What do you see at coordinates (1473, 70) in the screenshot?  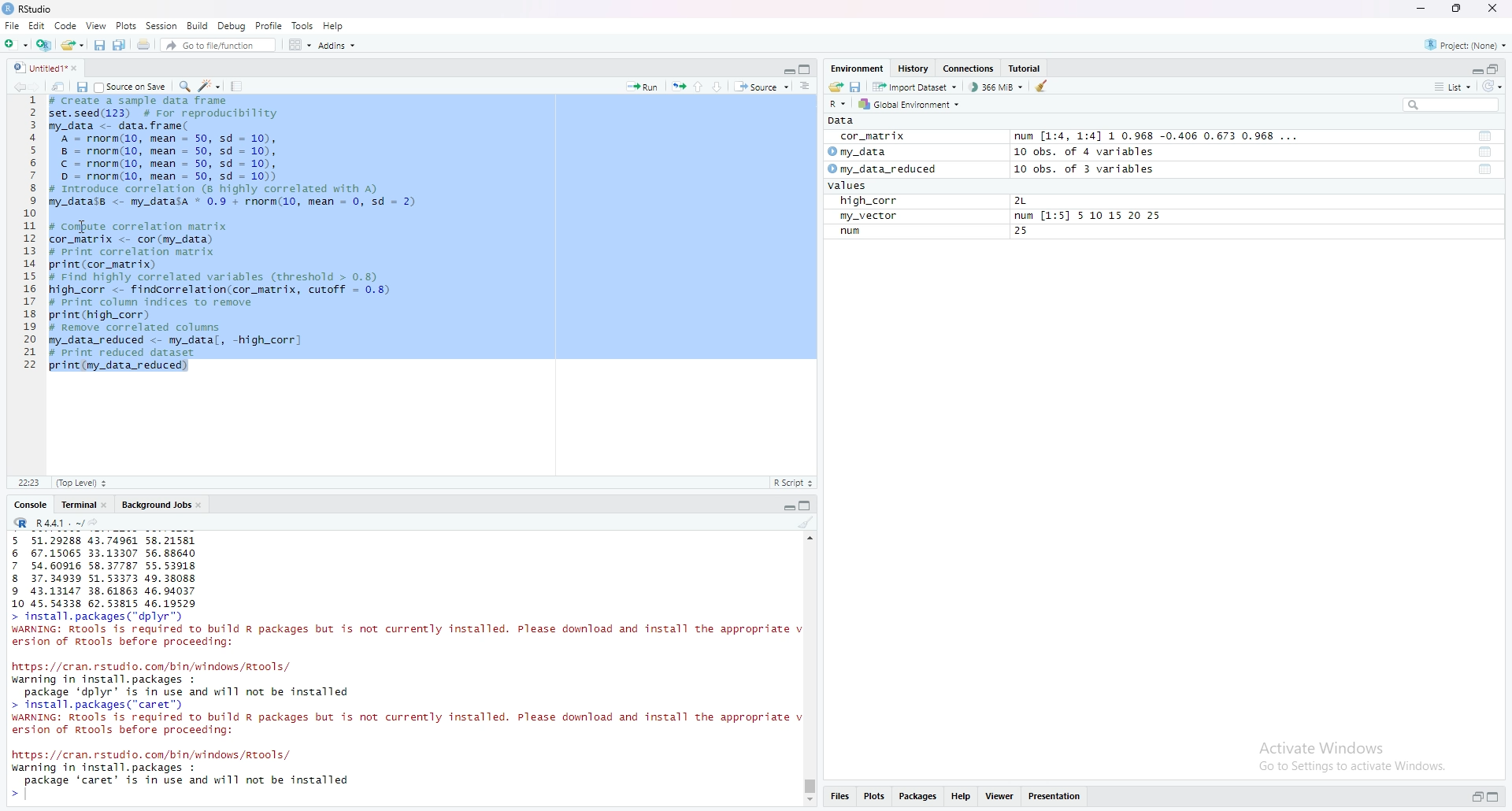 I see `Collapse` at bounding box center [1473, 70].